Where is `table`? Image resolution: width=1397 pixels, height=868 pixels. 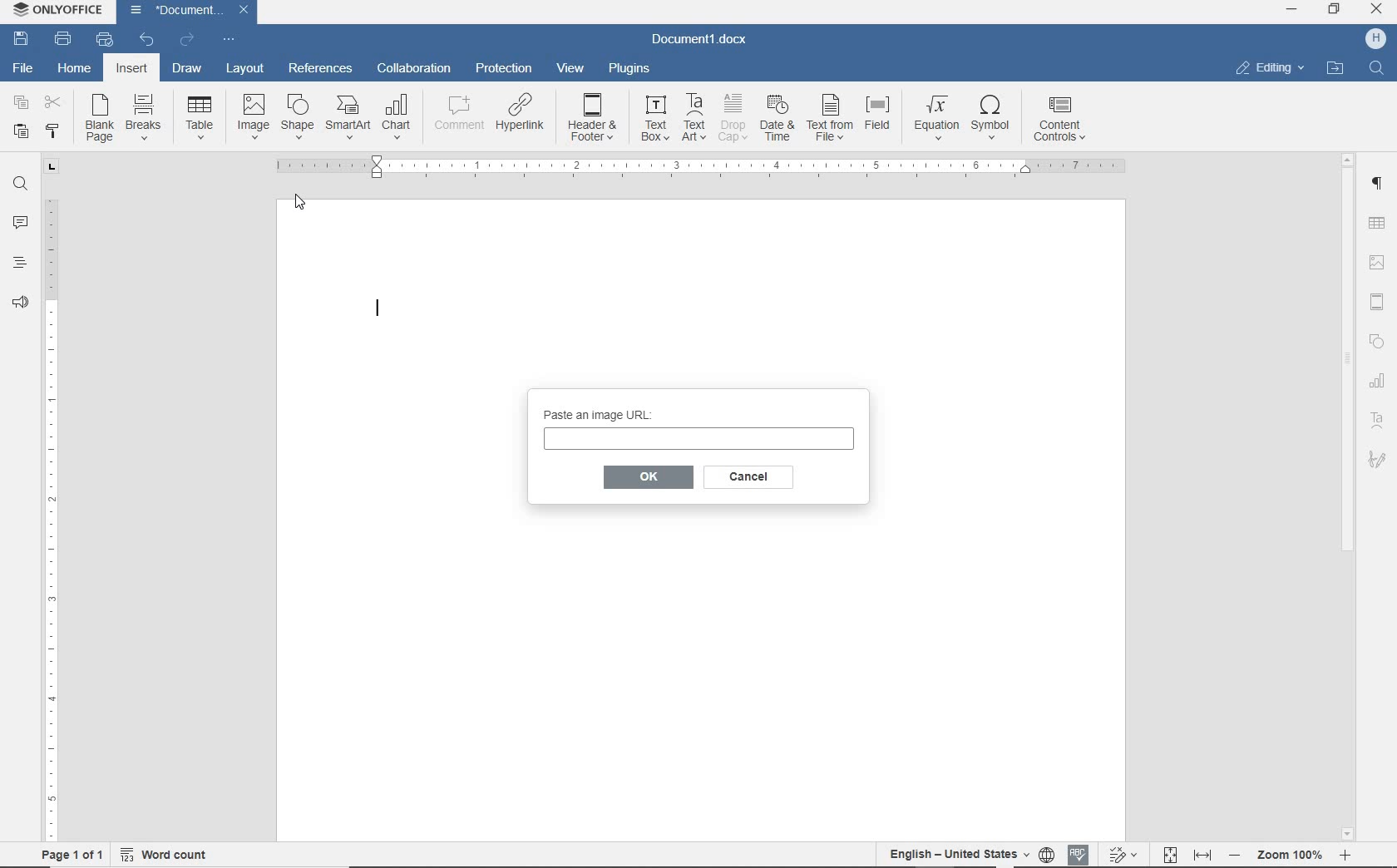
table is located at coordinates (201, 119).